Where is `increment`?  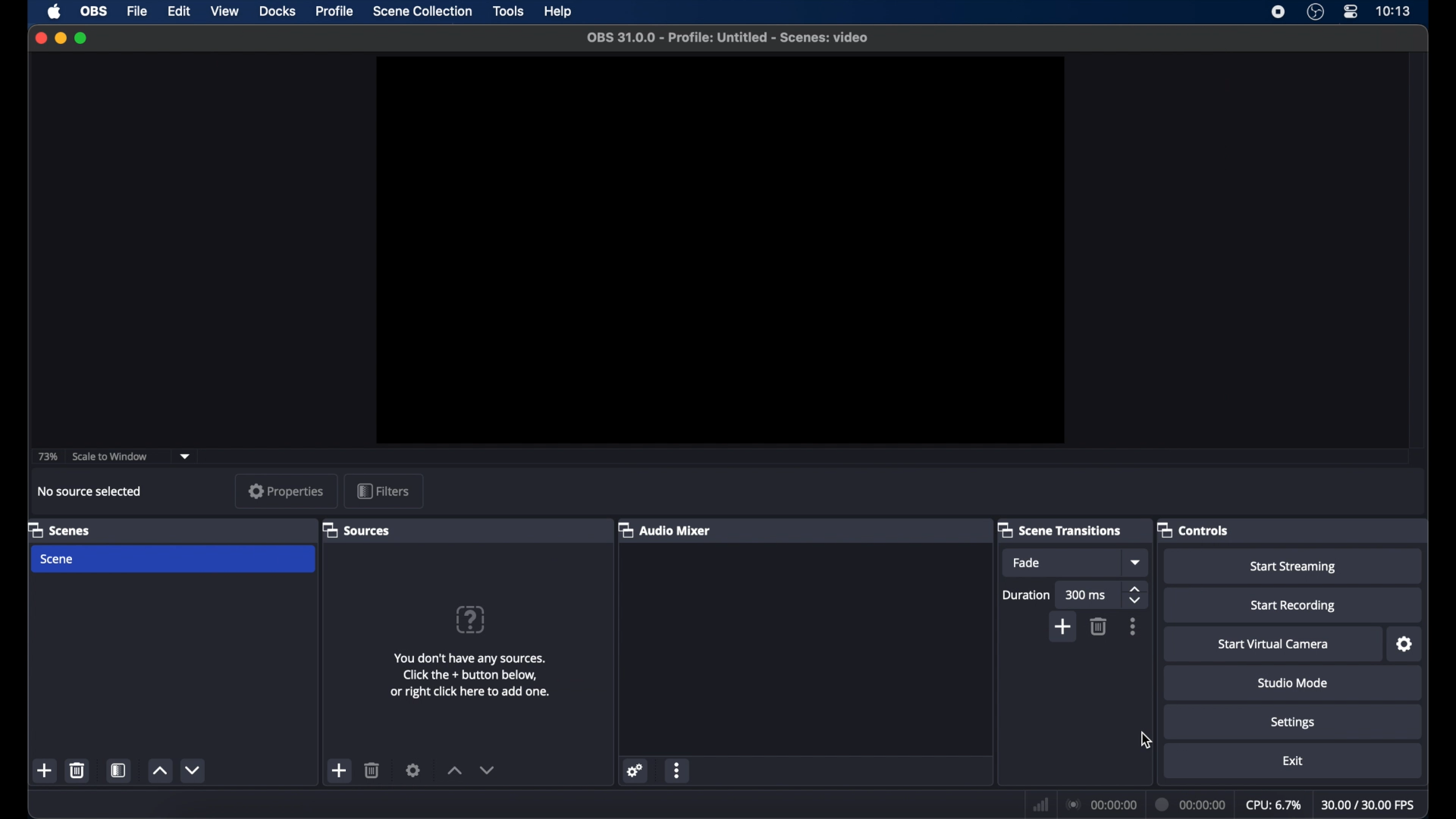
increment is located at coordinates (455, 770).